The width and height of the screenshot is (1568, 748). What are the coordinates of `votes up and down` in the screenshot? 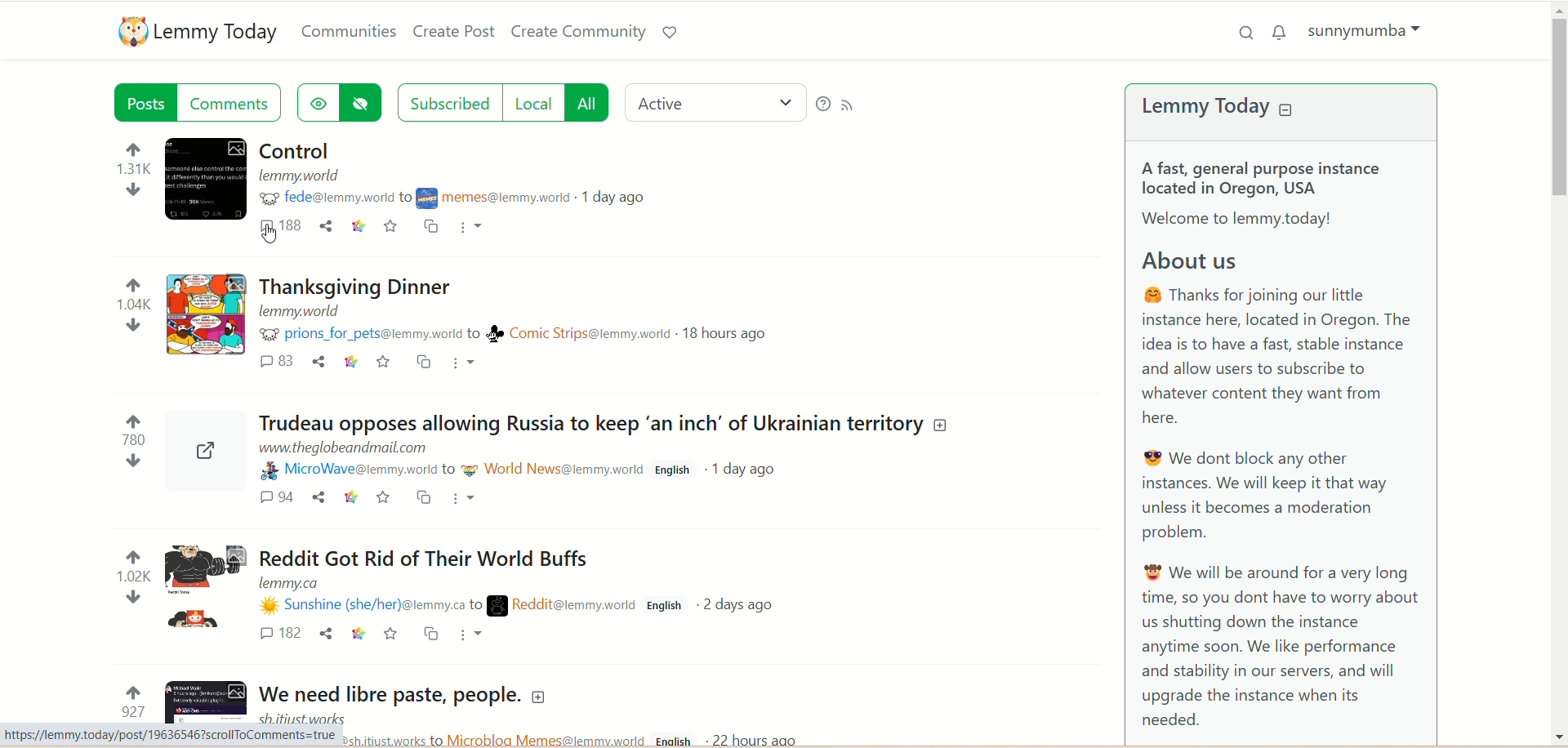 It's located at (120, 441).